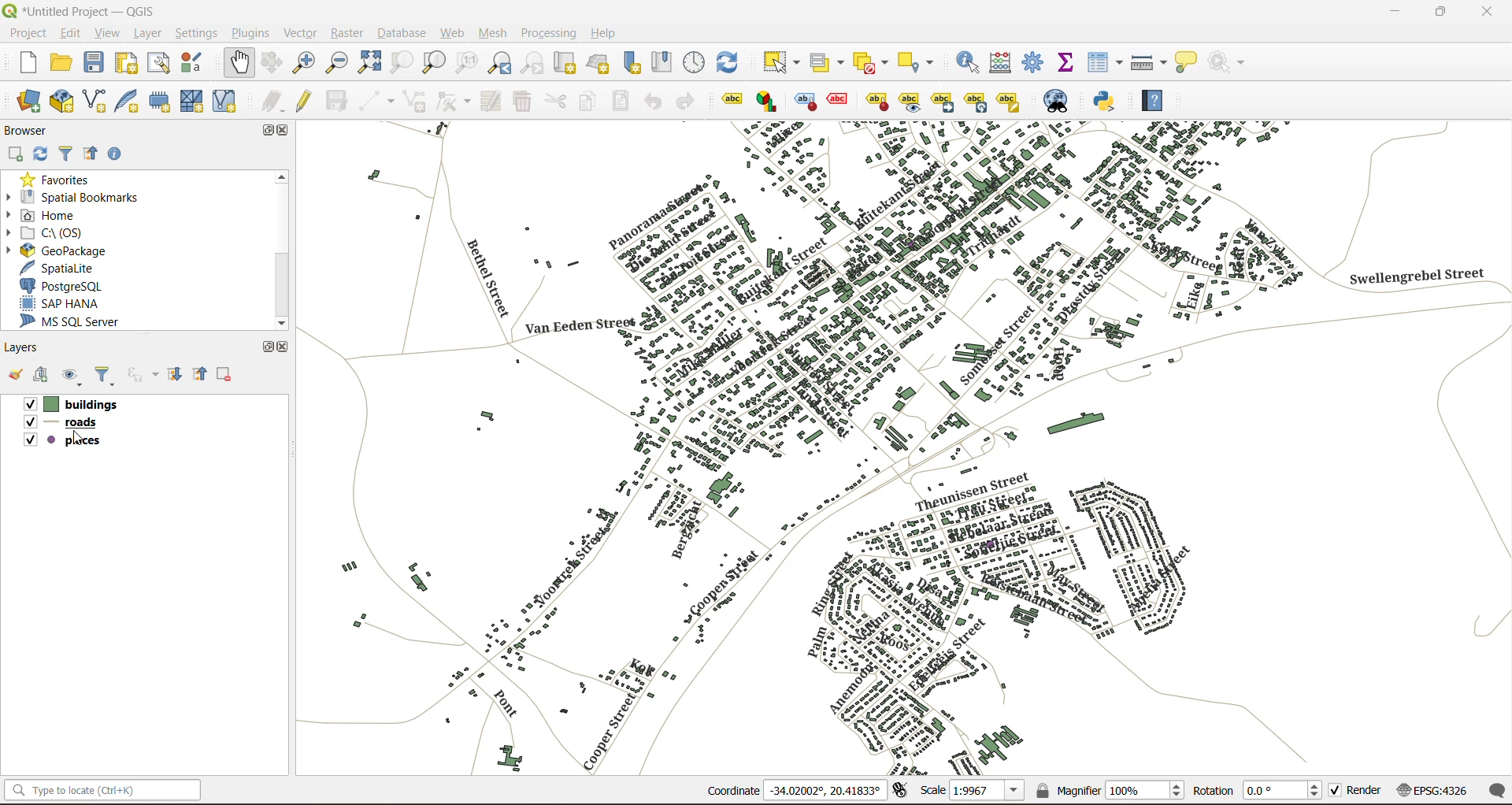 This screenshot has width=1512, height=805. What do you see at coordinates (228, 102) in the screenshot?
I see `new virtual layer` at bounding box center [228, 102].